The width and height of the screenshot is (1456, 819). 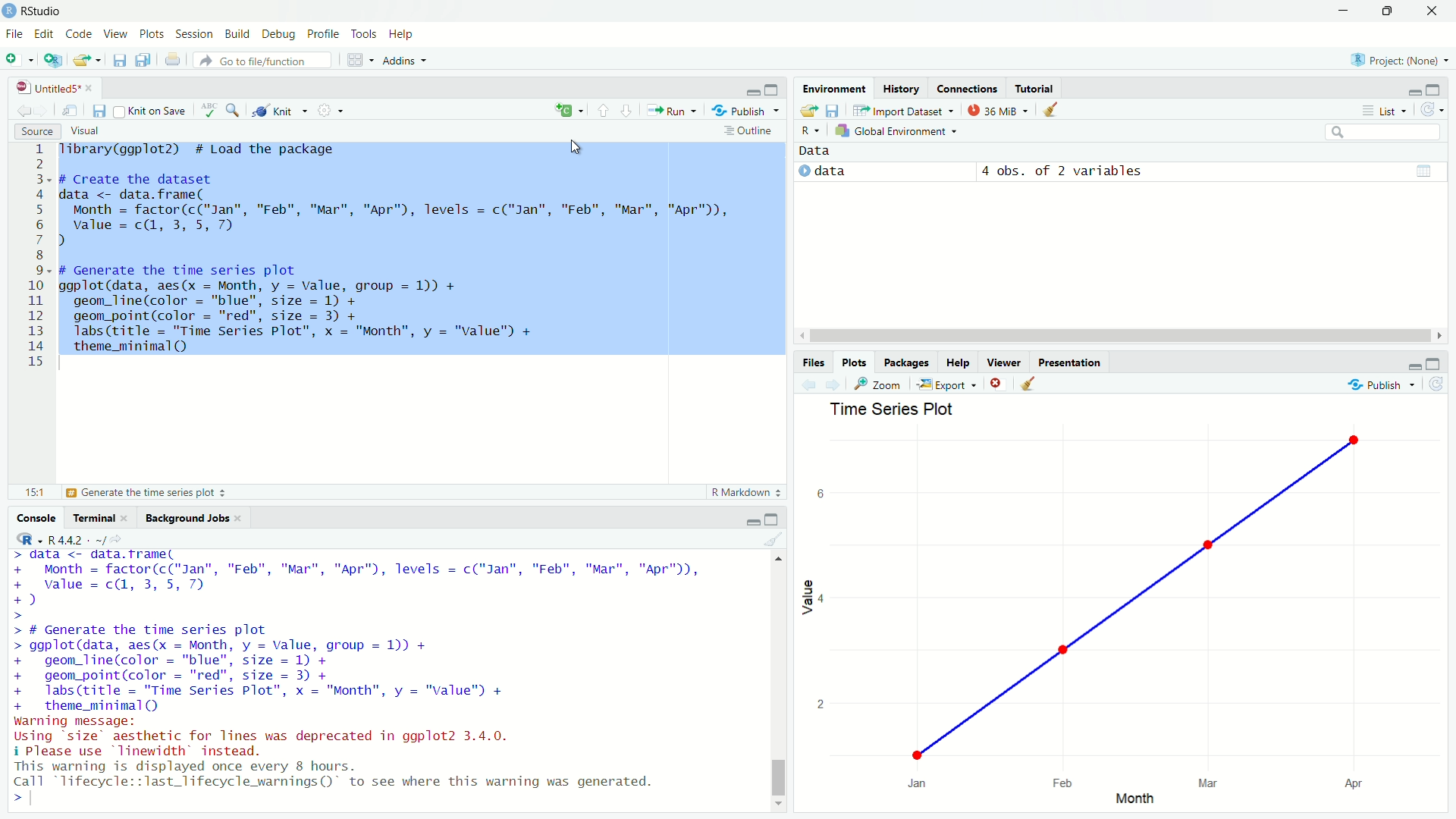 What do you see at coordinates (998, 383) in the screenshot?
I see `remove the current plot` at bounding box center [998, 383].